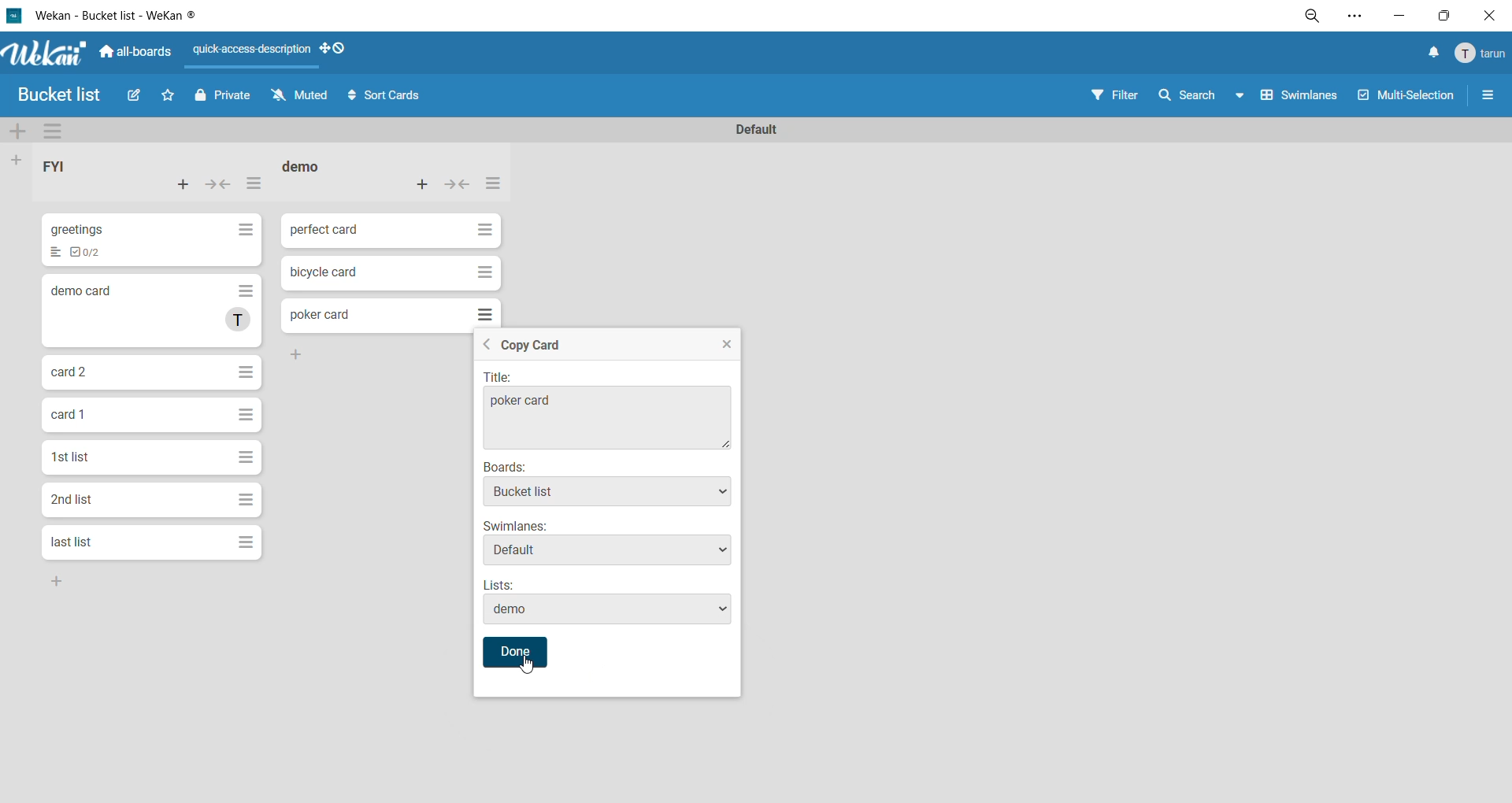 The height and width of the screenshot is (803, 1512). What do you see at coordinates (302, 98) in the screenshot?
I see `muted` at bounding box center [302, 98].